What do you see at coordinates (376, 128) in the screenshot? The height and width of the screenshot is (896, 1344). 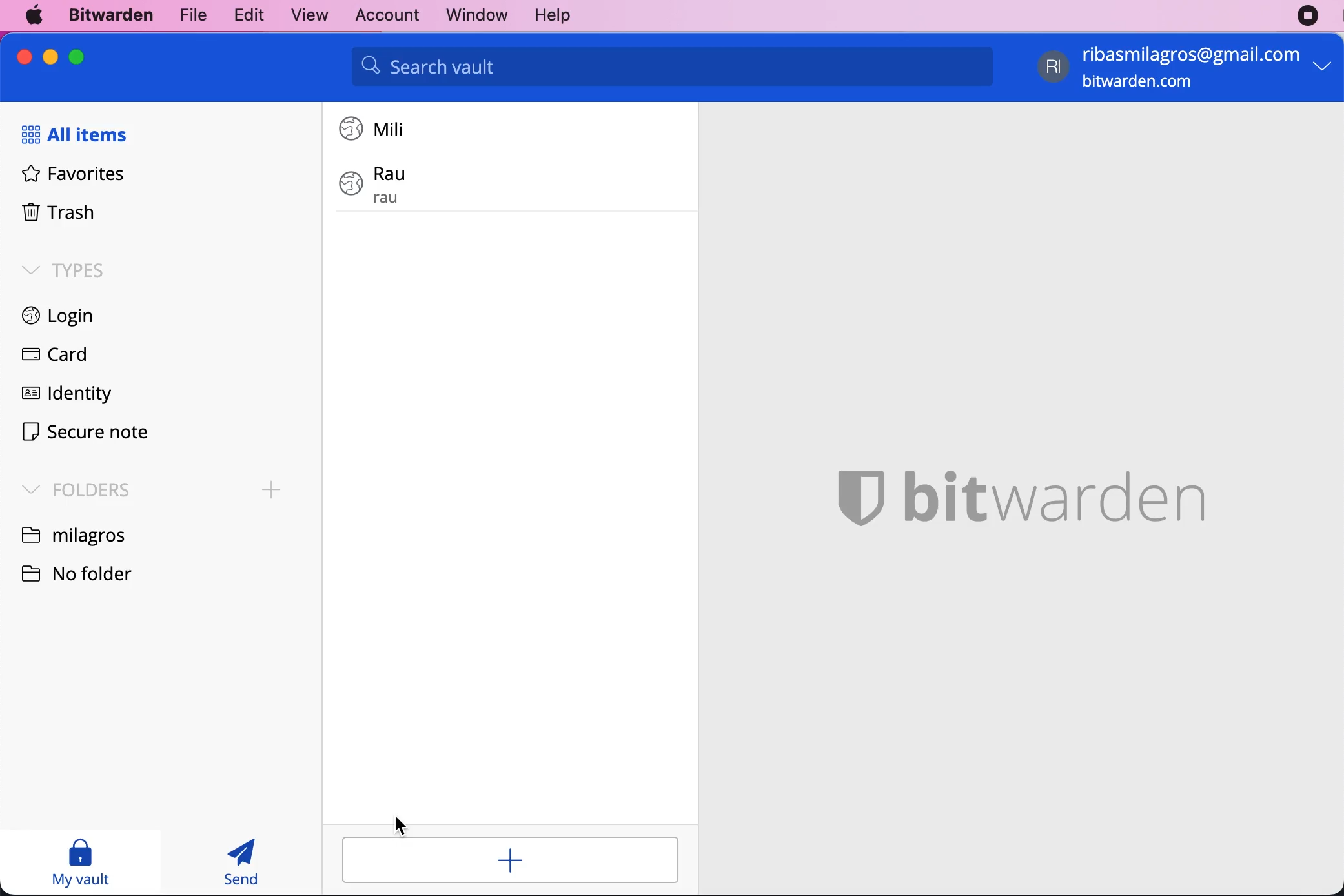 I see `login 1` at bounding box center [376, 128].